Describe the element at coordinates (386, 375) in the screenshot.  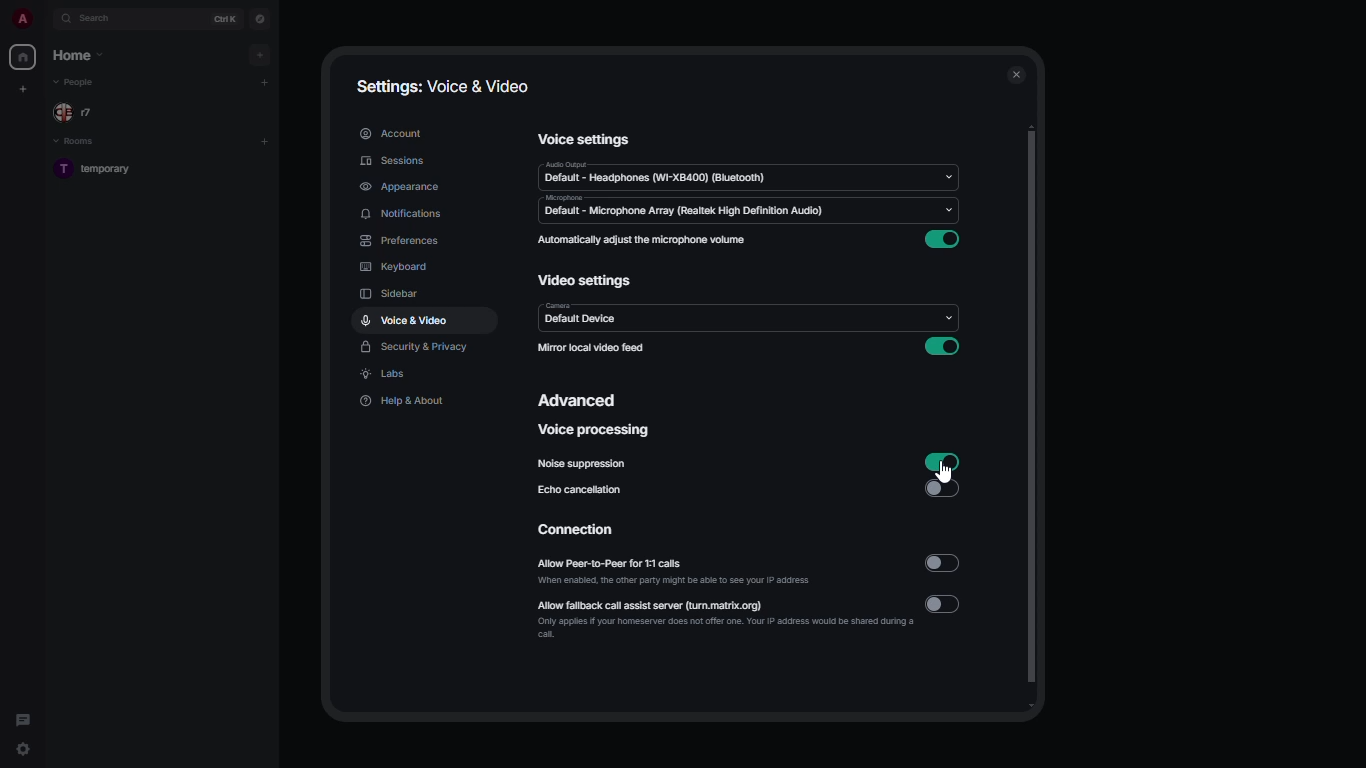
I see `labs` at that location.